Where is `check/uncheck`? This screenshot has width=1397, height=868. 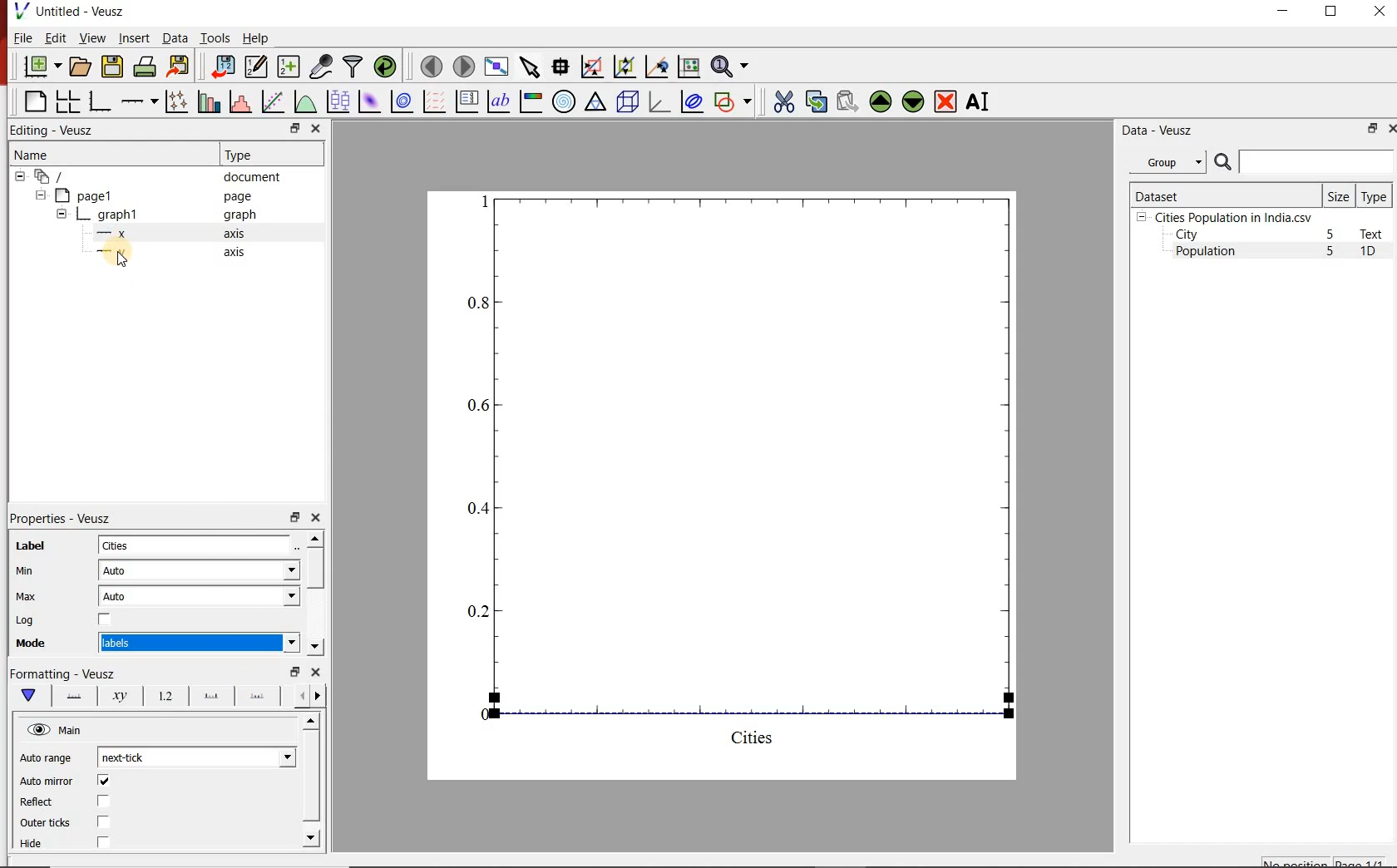
check/uncheck is located at coordinates (102, 845).